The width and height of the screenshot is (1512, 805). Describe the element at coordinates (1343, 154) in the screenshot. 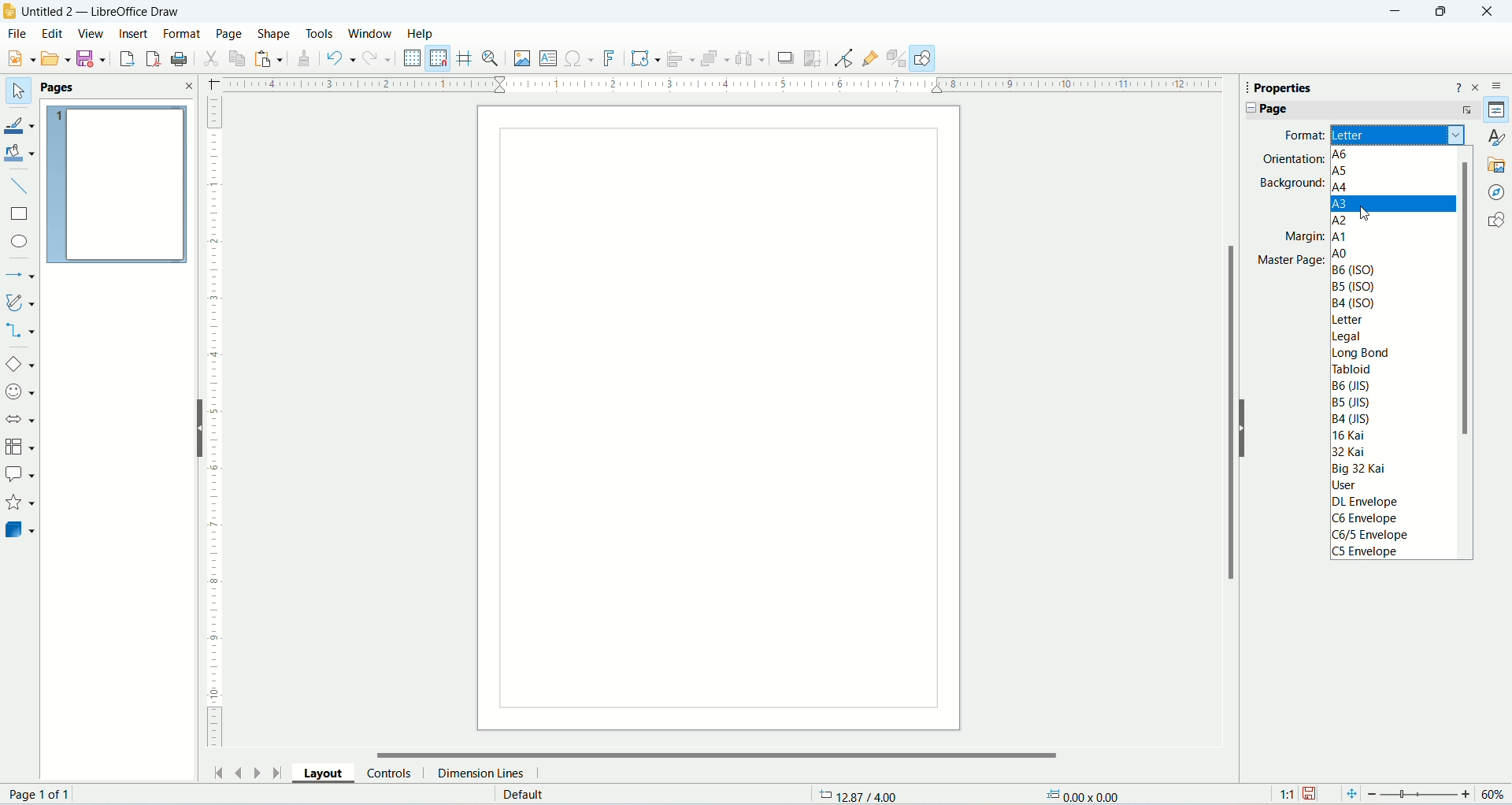

I see `A6` at that location.